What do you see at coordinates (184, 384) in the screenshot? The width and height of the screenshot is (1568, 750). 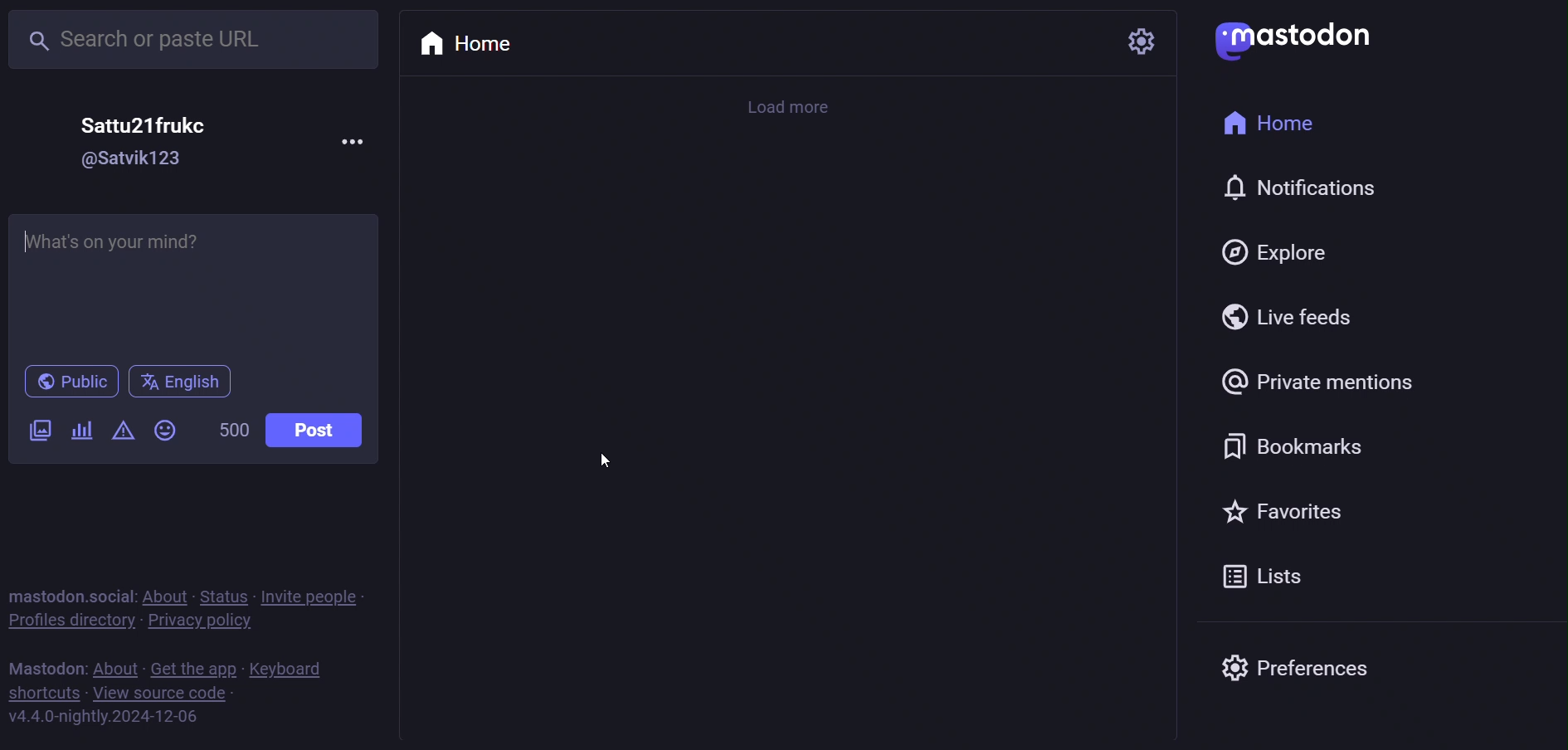 I see `English` at bounding box center [184, 384].